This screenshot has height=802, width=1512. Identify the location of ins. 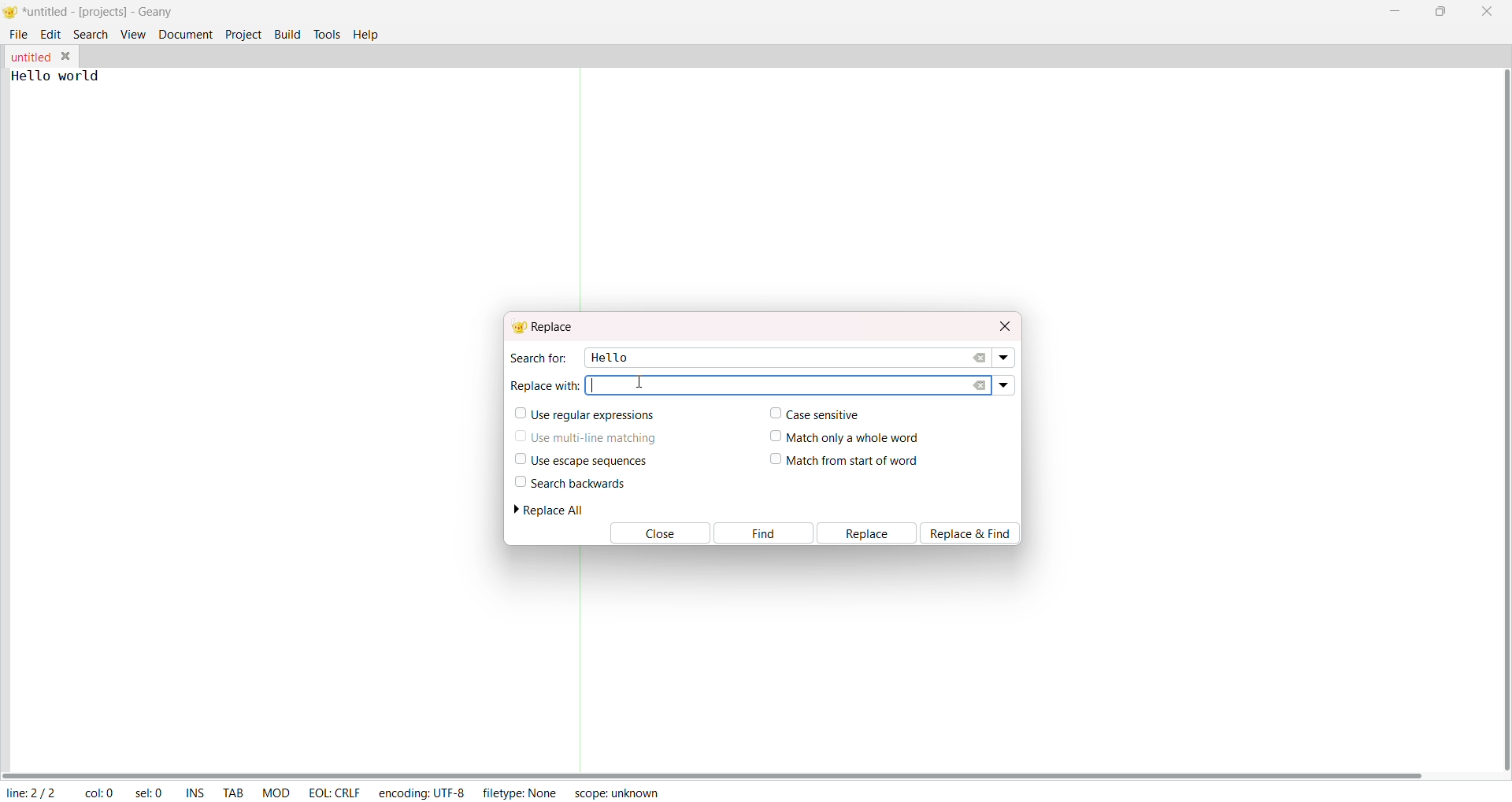
(195, 794).